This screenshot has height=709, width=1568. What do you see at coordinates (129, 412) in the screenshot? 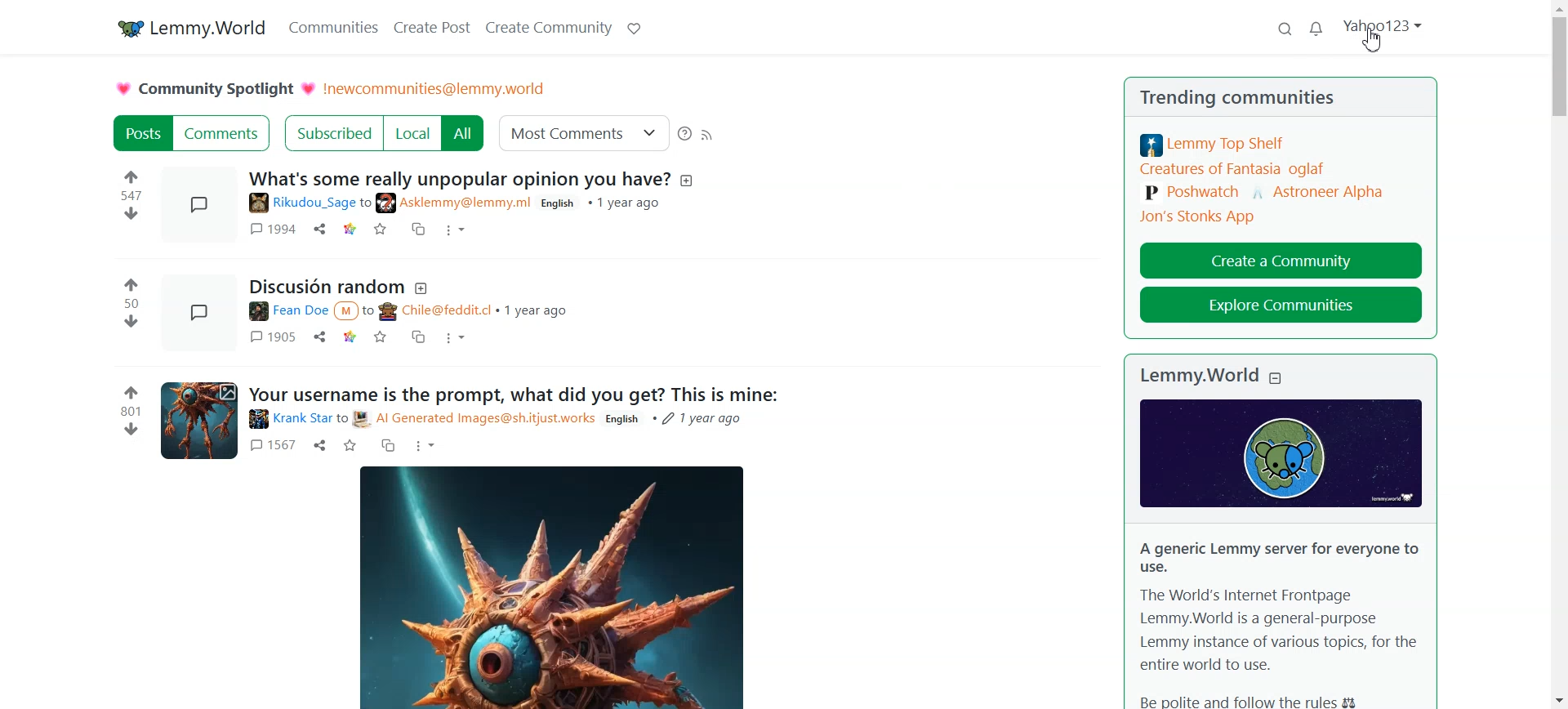
I see `801` at bounding box center [129, 412].